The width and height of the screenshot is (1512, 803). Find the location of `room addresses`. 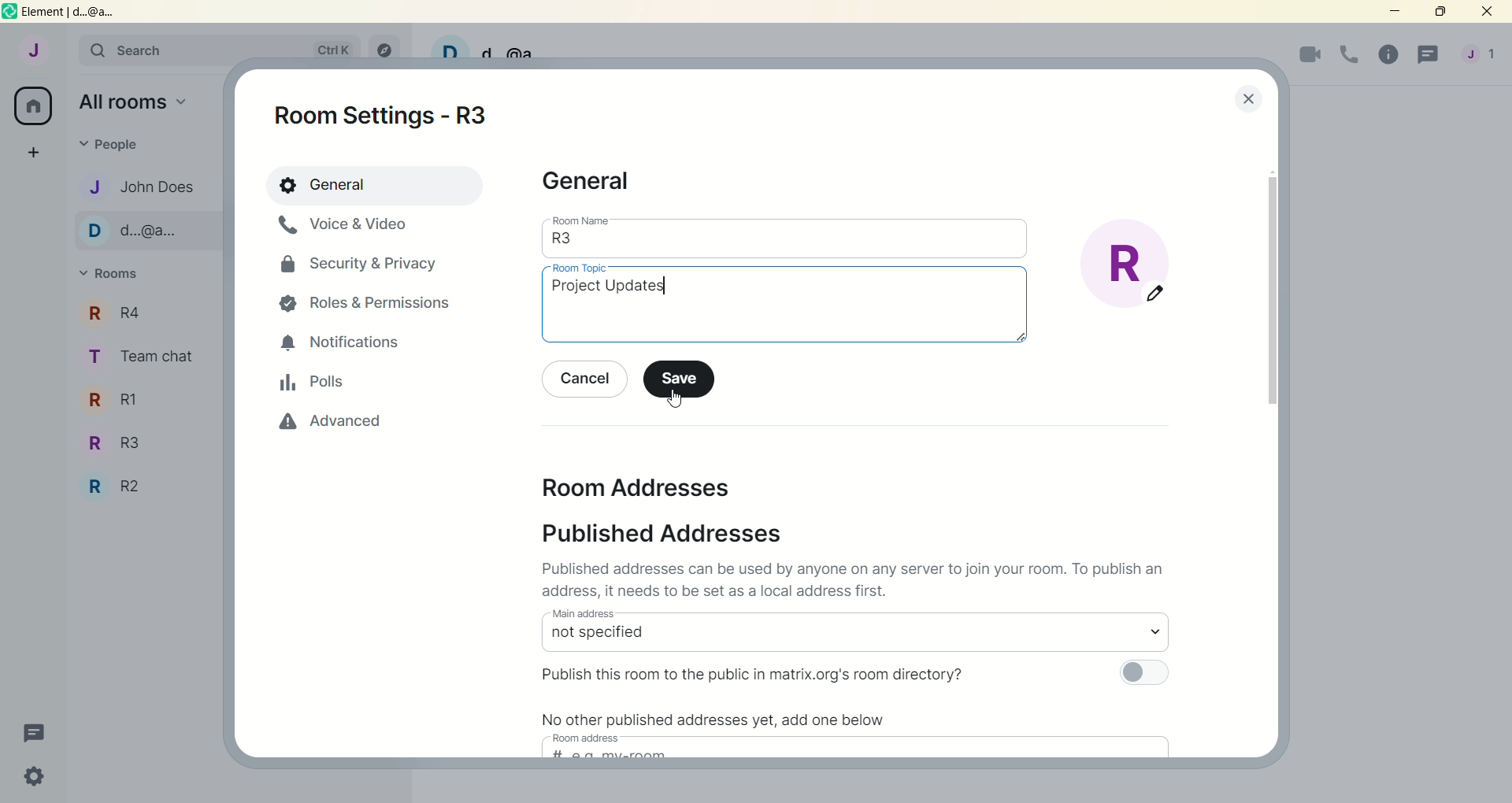

room addresses is located at coordinates (637, 490).